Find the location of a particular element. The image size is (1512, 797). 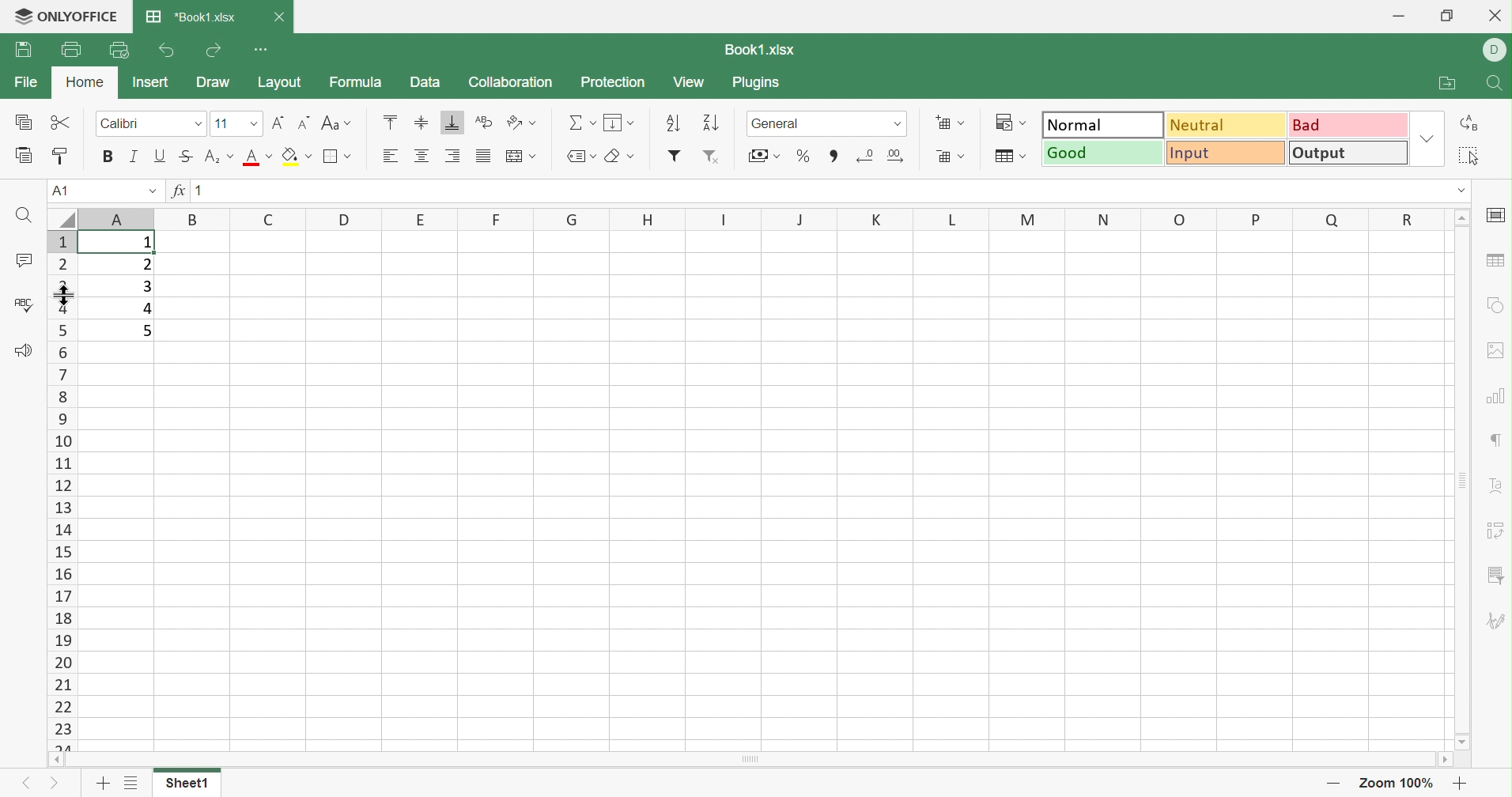

Drop Down is located at coordinates (1428, 138).